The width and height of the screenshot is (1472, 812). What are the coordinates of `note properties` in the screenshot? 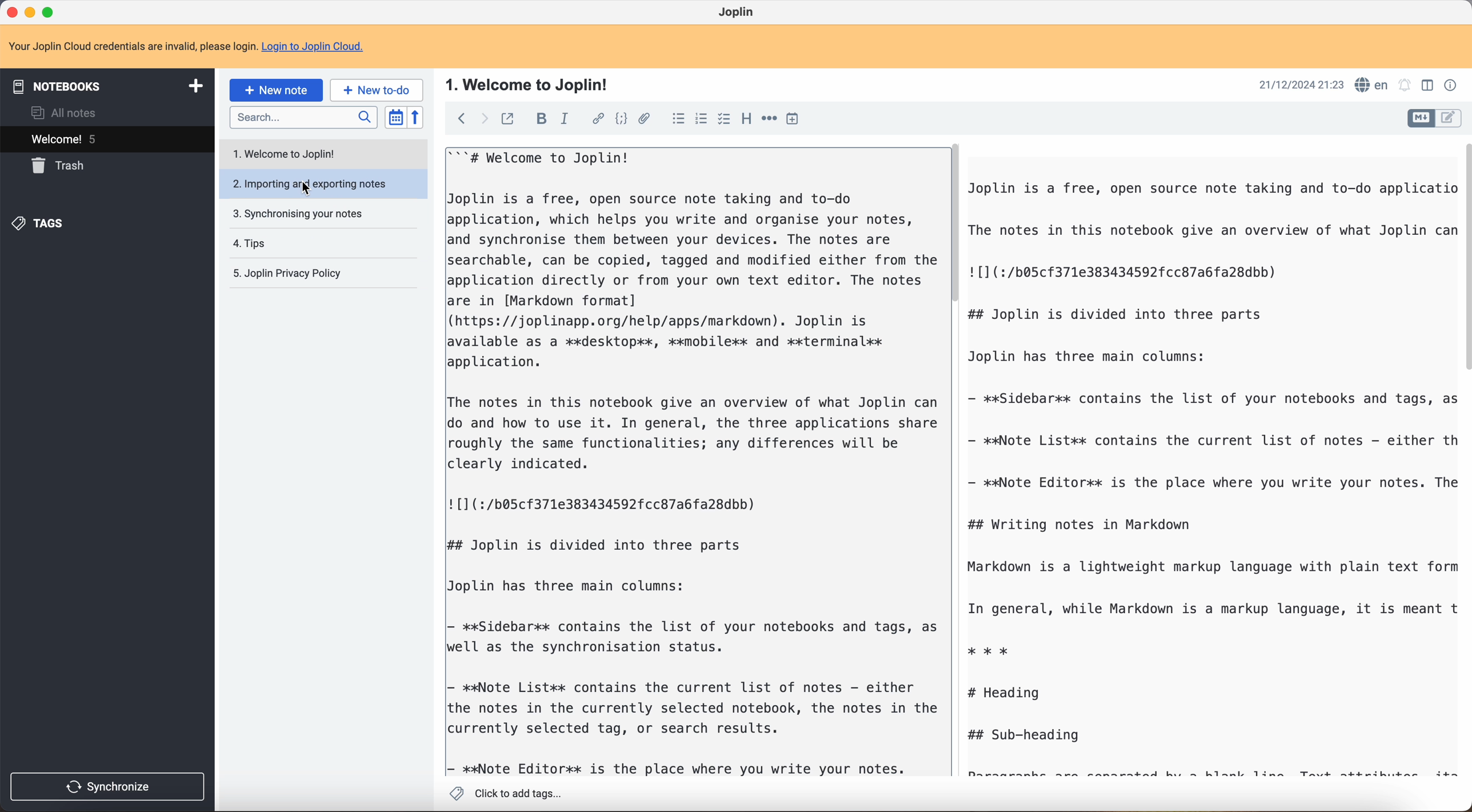 It's located at (1451, 84).